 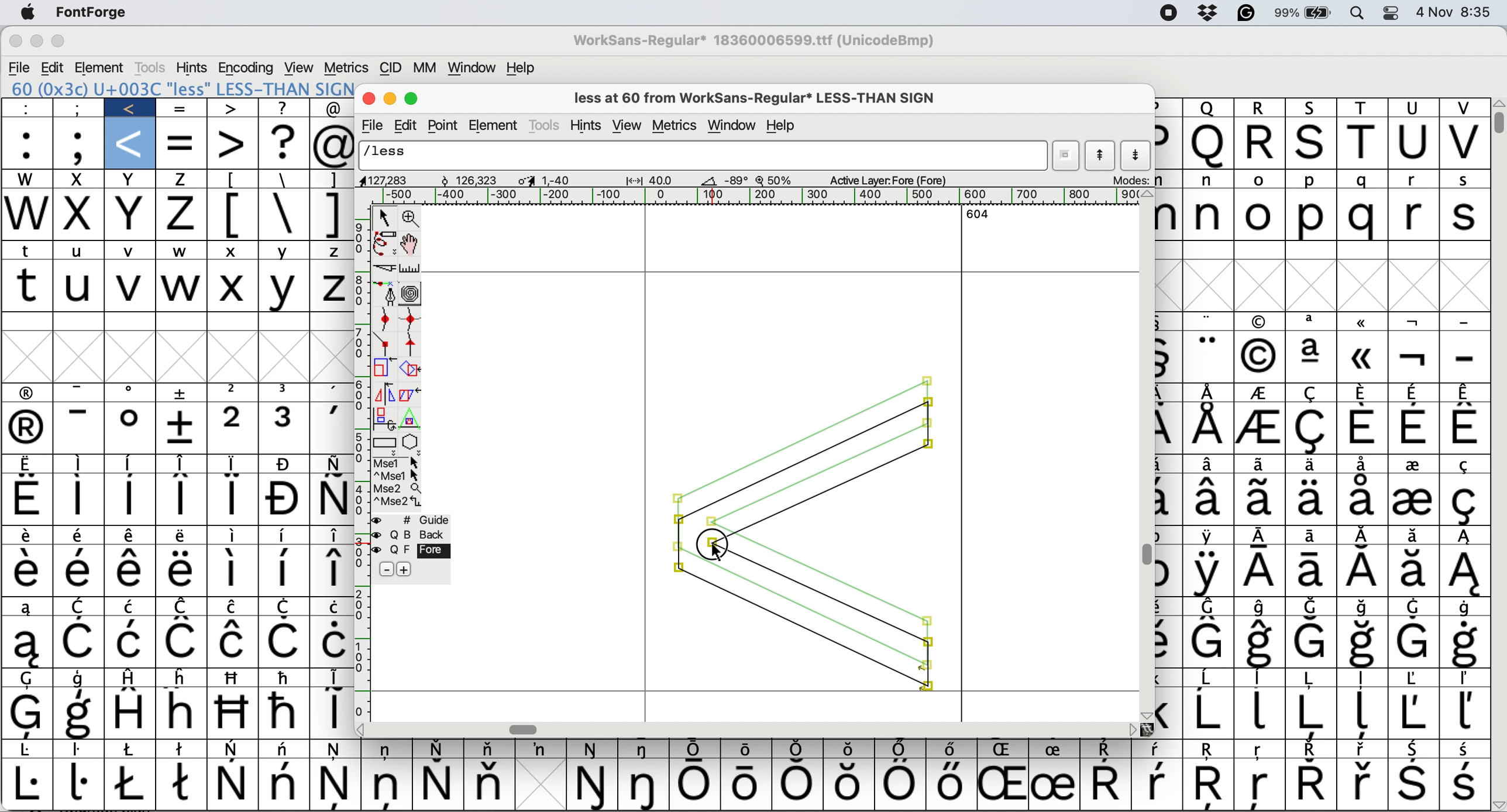 I want to click on Symbol, so click(x=131, y=642).